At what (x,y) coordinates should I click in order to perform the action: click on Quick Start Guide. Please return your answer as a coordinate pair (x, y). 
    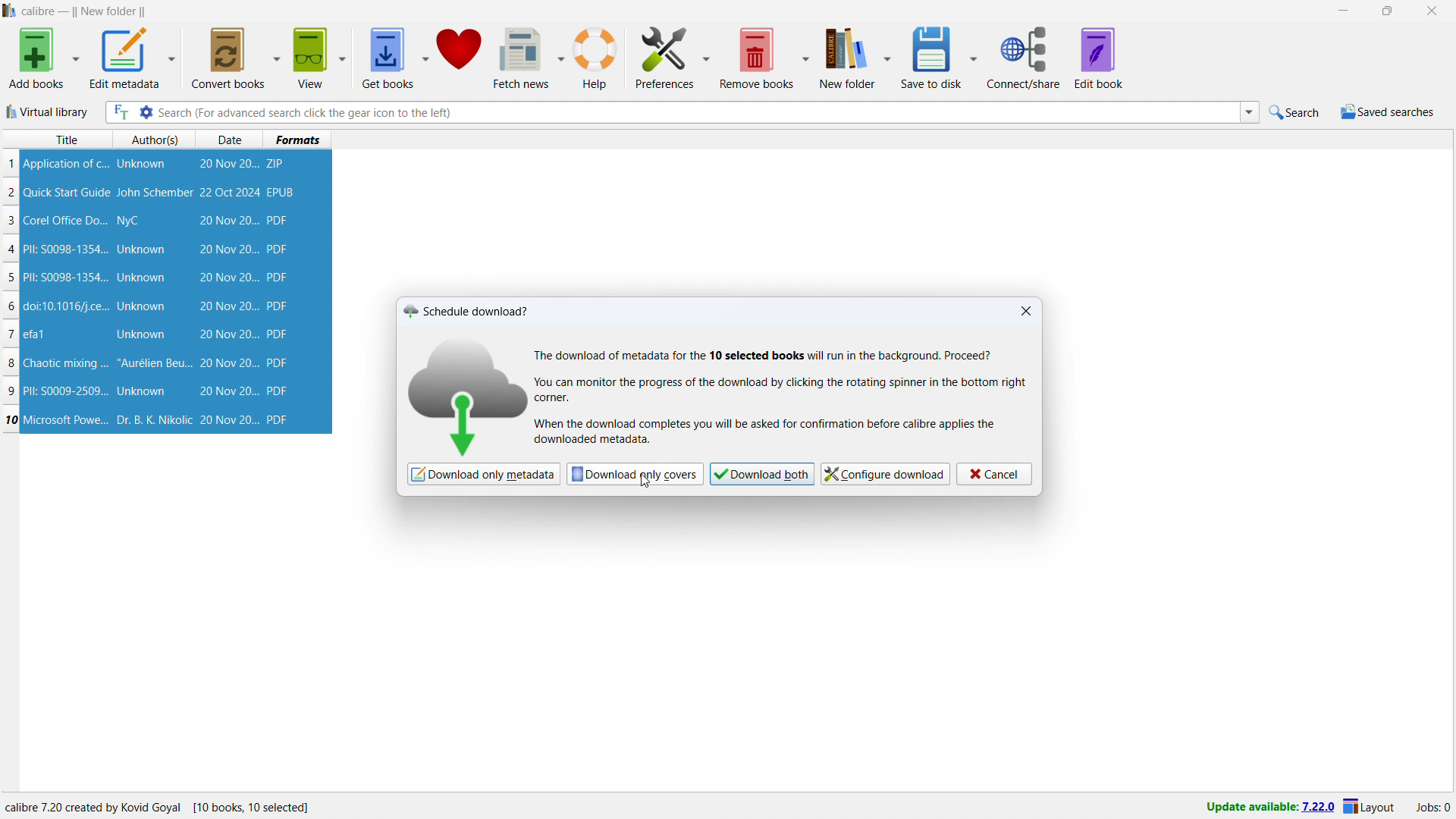
    Looking at the image, I should click on (67, 193).